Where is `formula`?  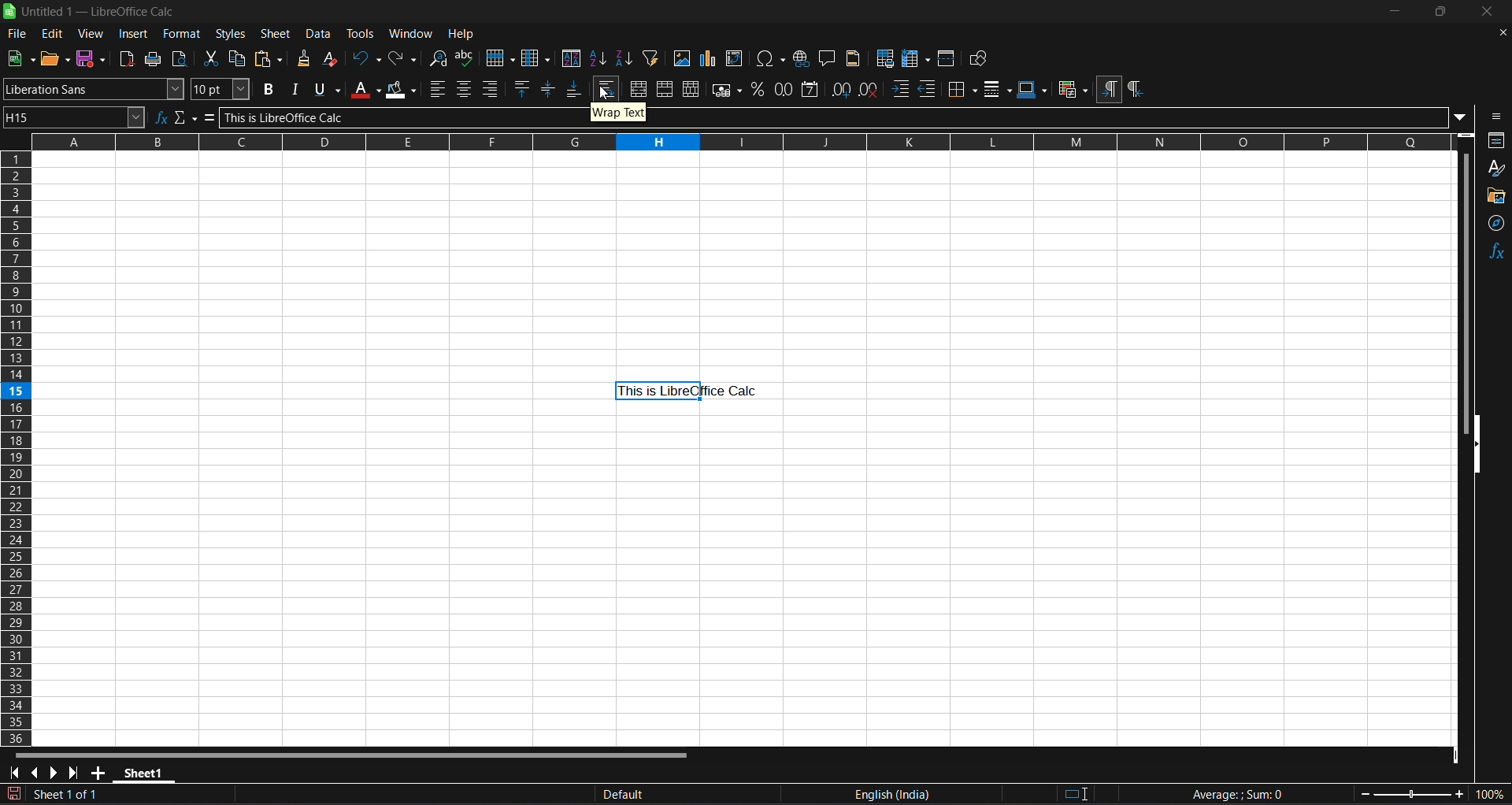 formula is located at coordinates (206, 118).